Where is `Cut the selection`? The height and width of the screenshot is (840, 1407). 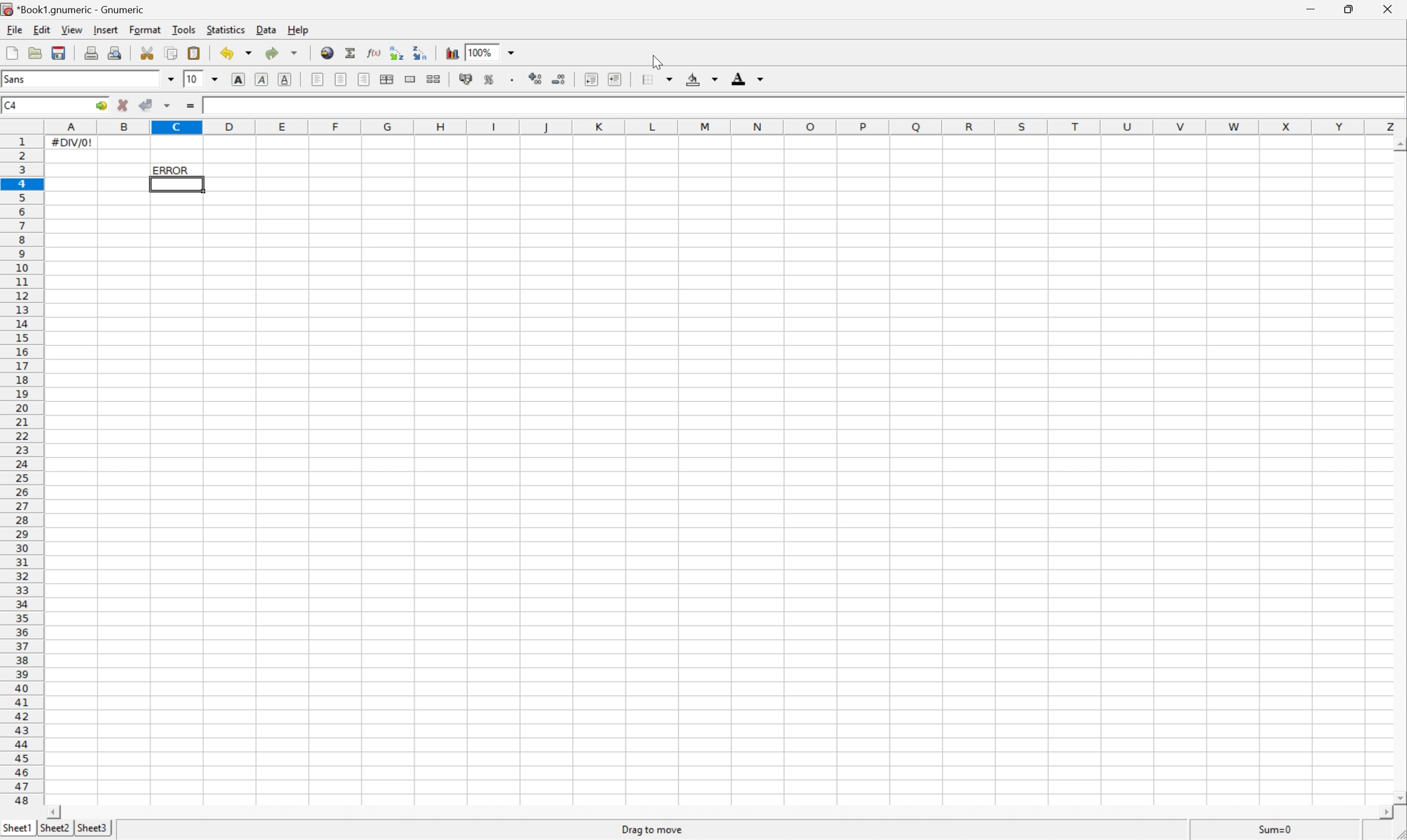 Cut the selection is located at coordinates (148, 52).